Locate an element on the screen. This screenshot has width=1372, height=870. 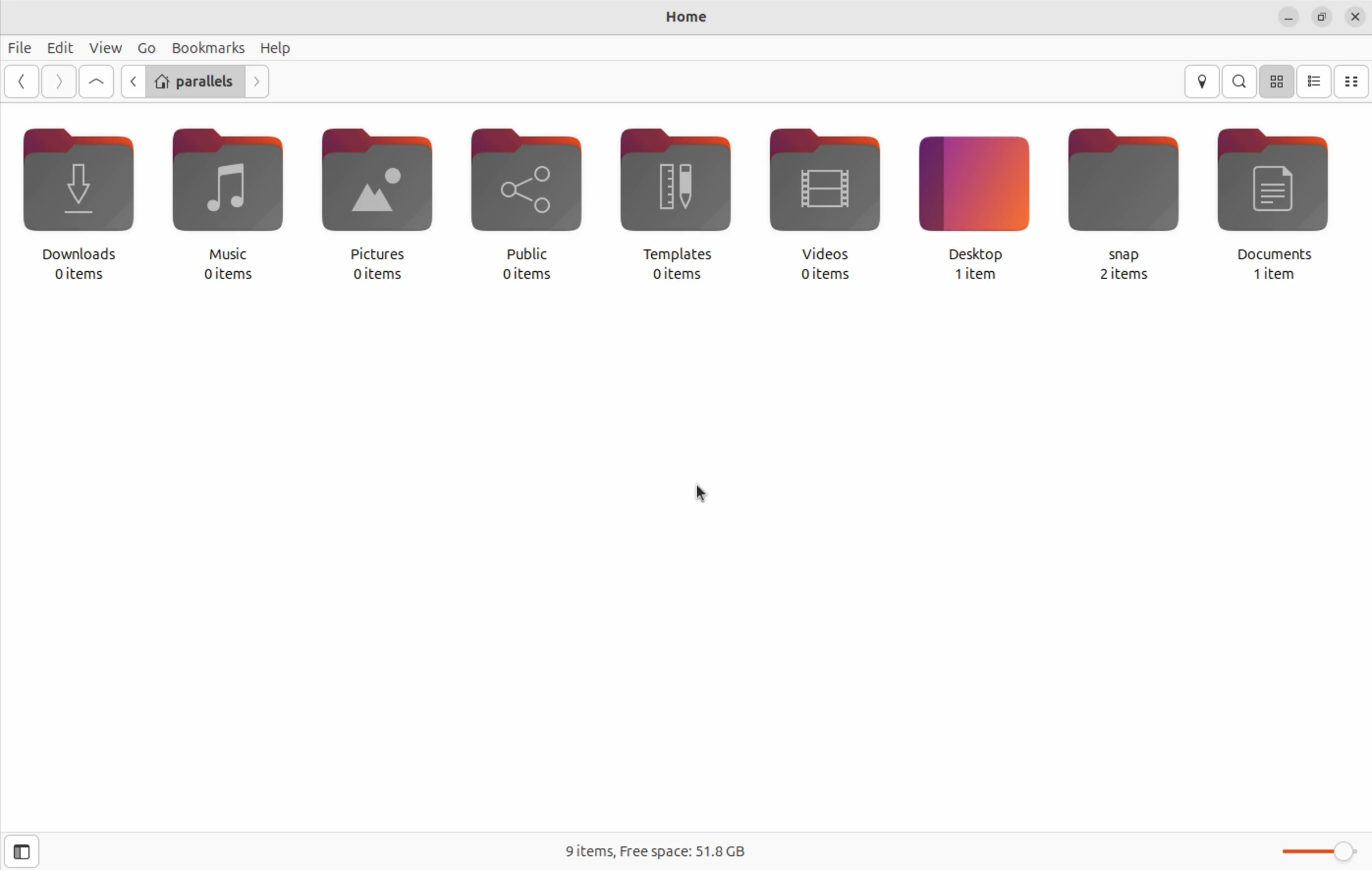
cursor is located at coordinates (704, 492).